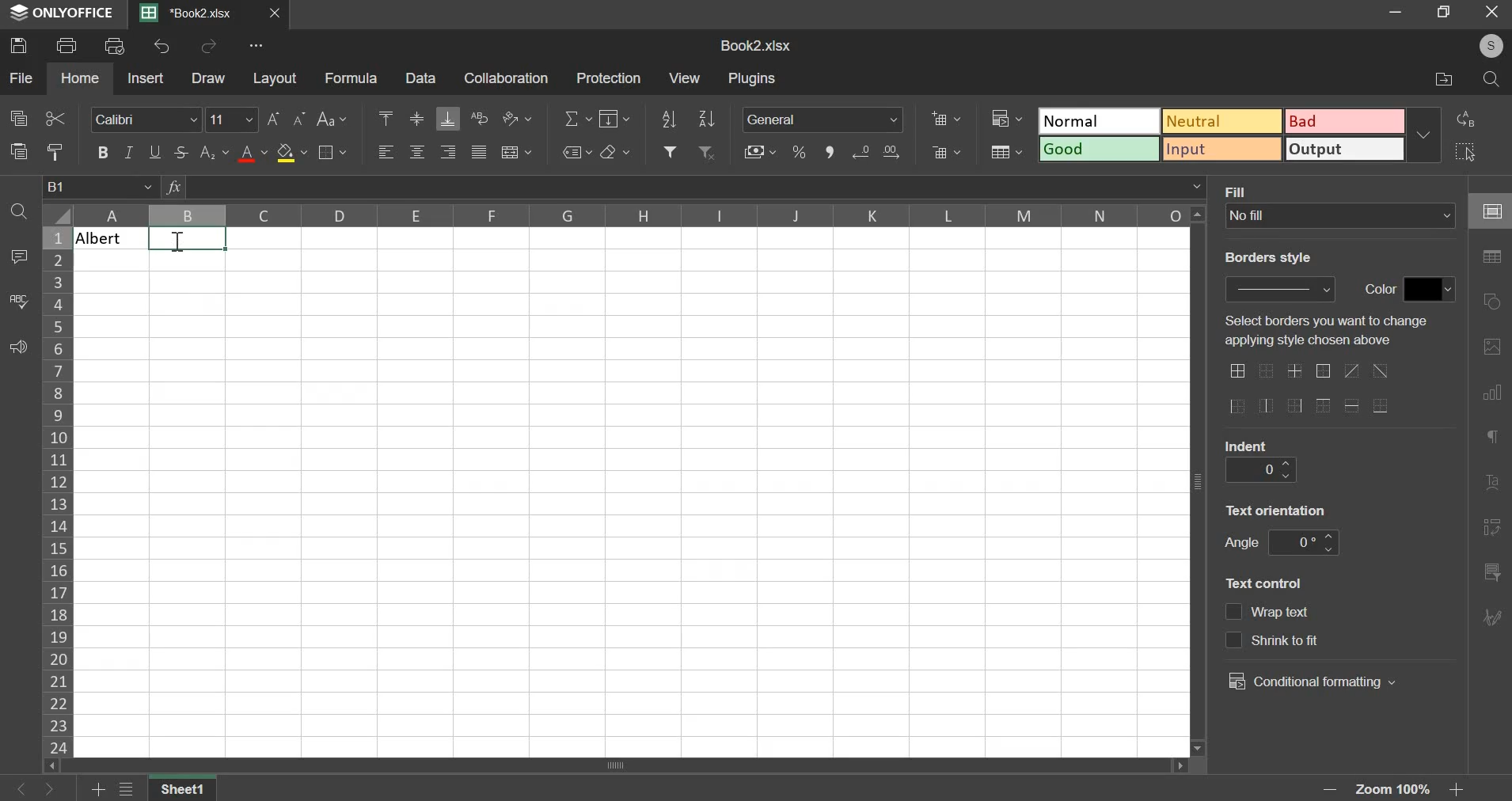  What do you see at coordinates (1316, 682) in the screenshot?
I see `conditional formatting` at bounding box center [1316, 682].